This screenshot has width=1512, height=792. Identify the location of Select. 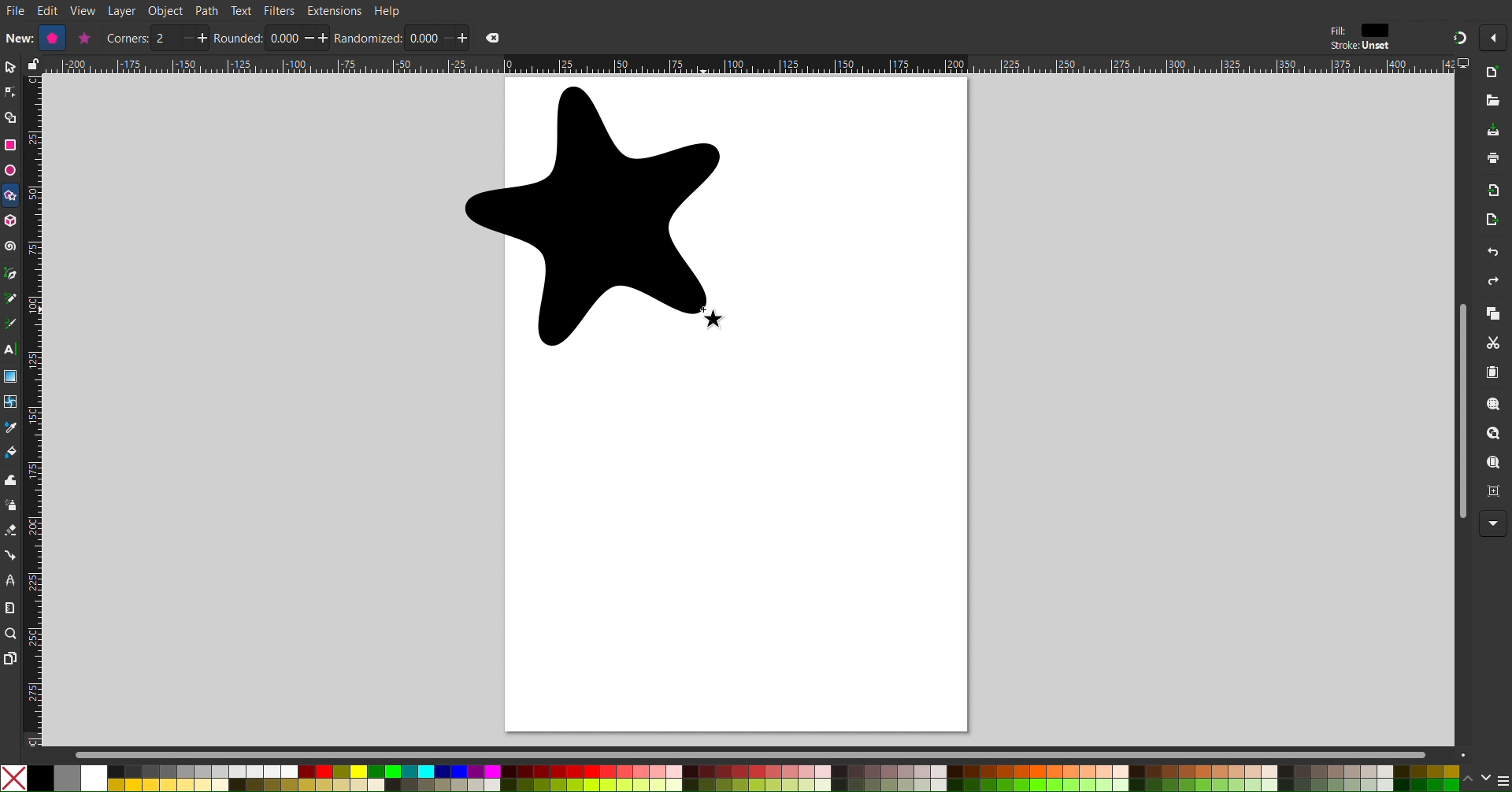
(9, 68).